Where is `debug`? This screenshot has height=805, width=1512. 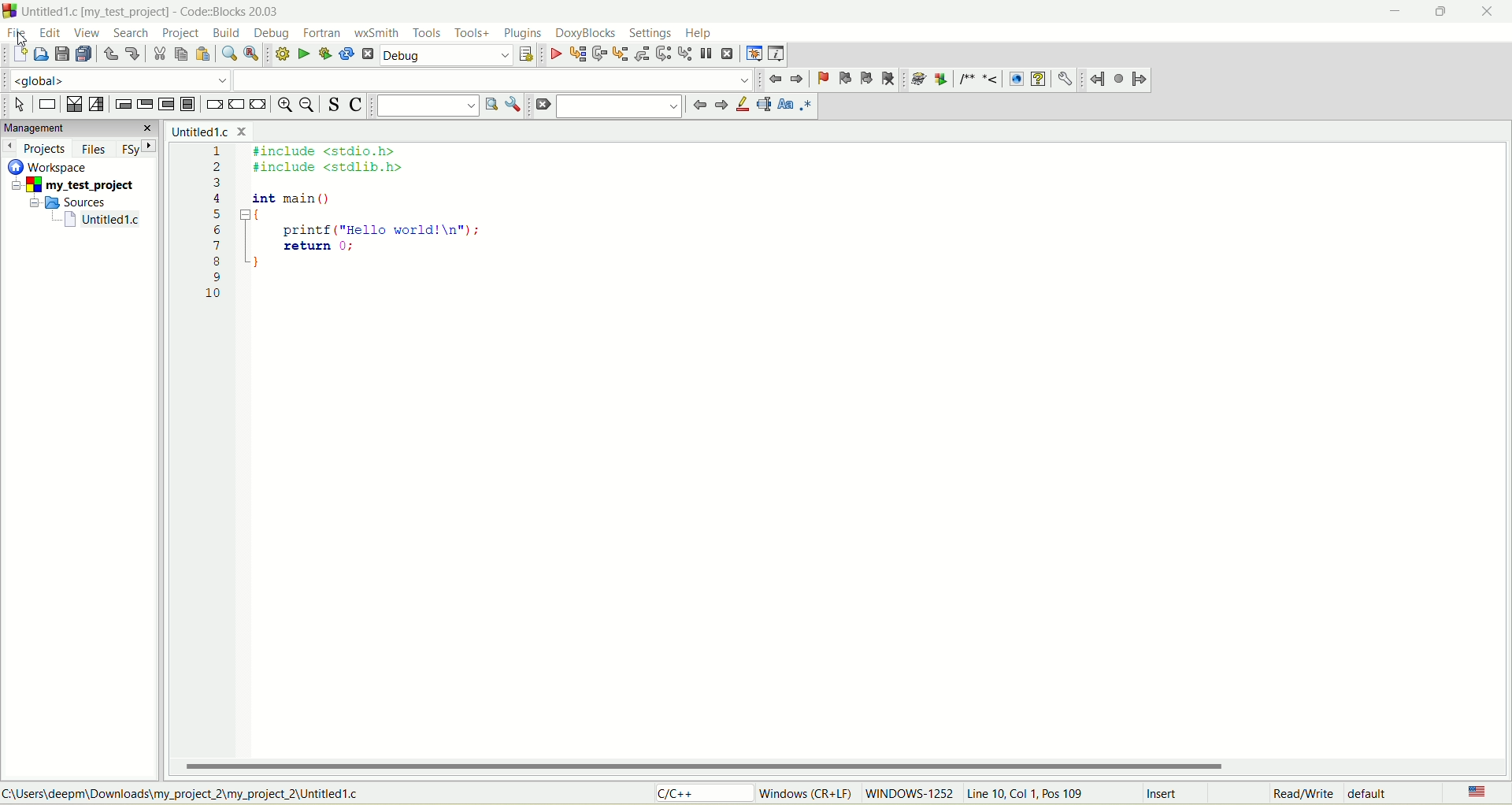 debug is located at coordinates (555, 55).